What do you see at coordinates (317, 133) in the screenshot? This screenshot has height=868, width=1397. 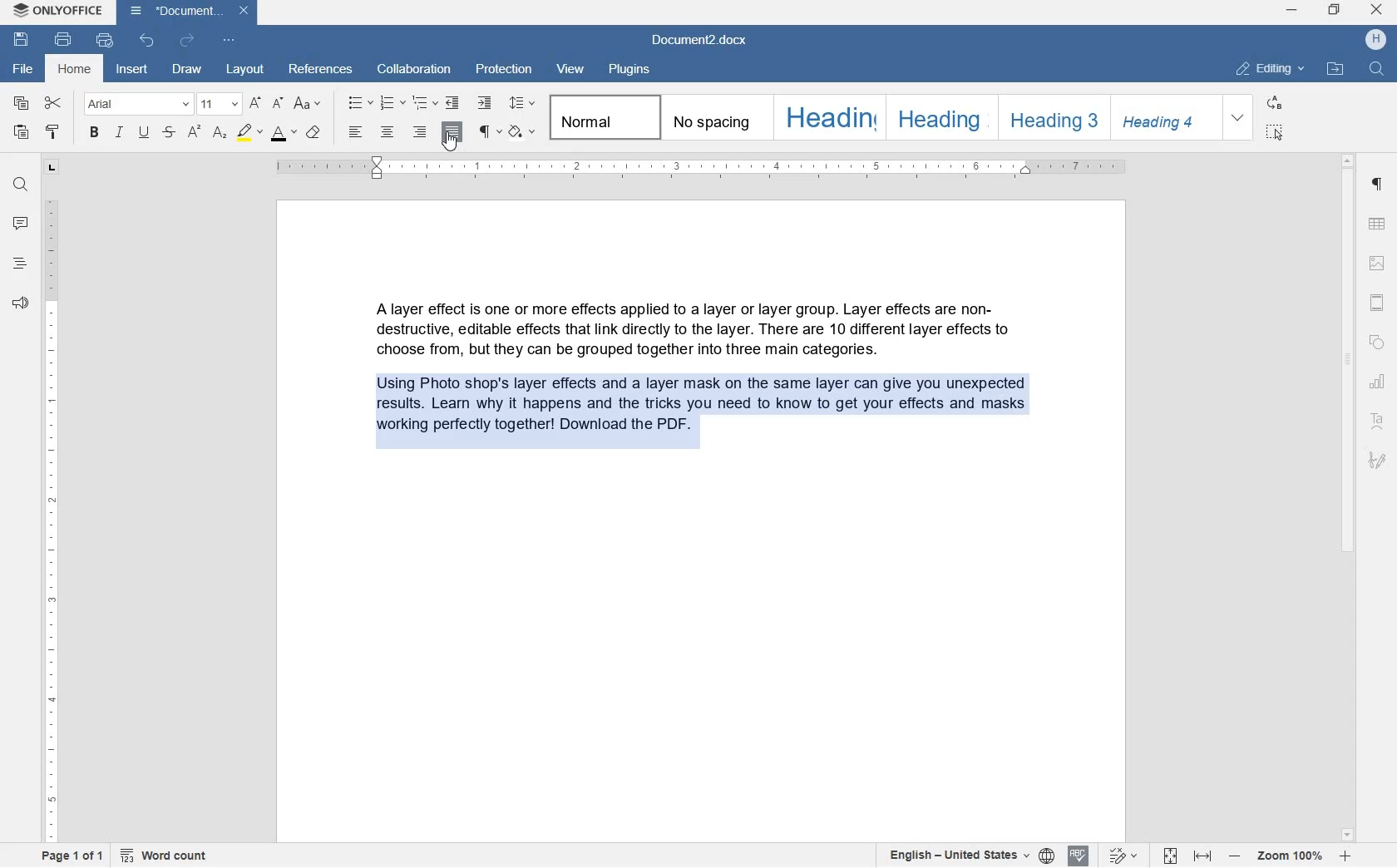 I see `CLEAR STYLE` at bounding box center [317, 133].